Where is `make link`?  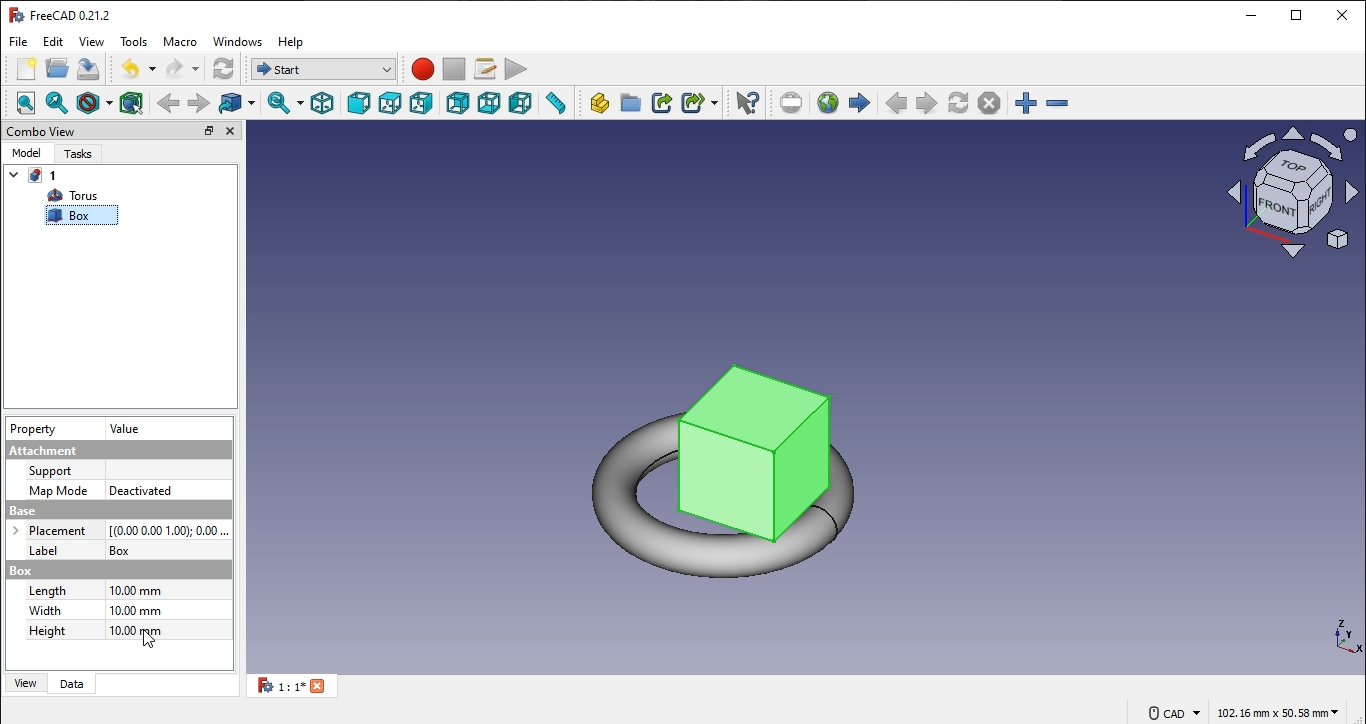 make link is located at coordinates (661, 102).